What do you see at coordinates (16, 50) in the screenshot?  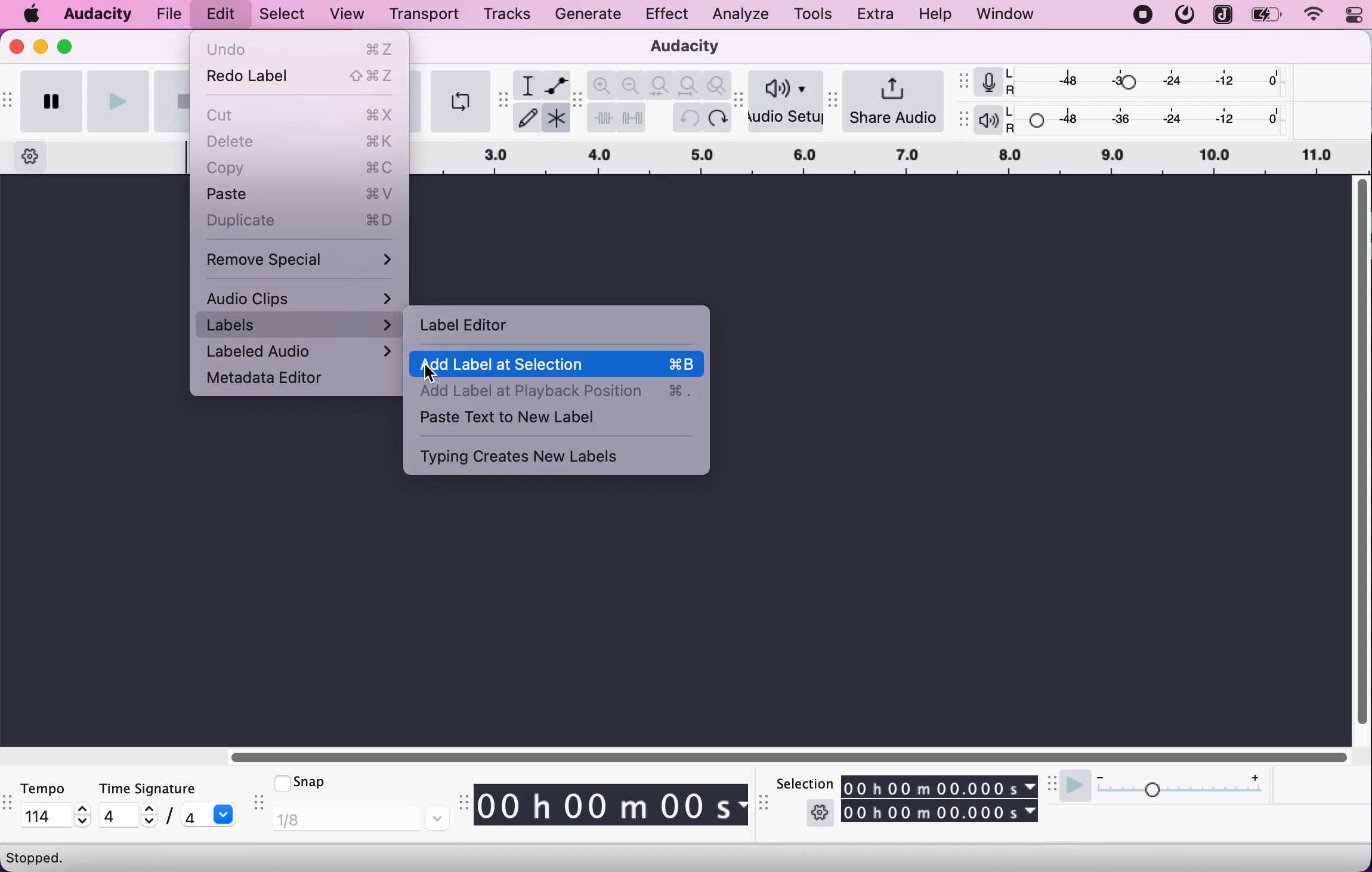 I see `close` at bounding box center [16, 50].